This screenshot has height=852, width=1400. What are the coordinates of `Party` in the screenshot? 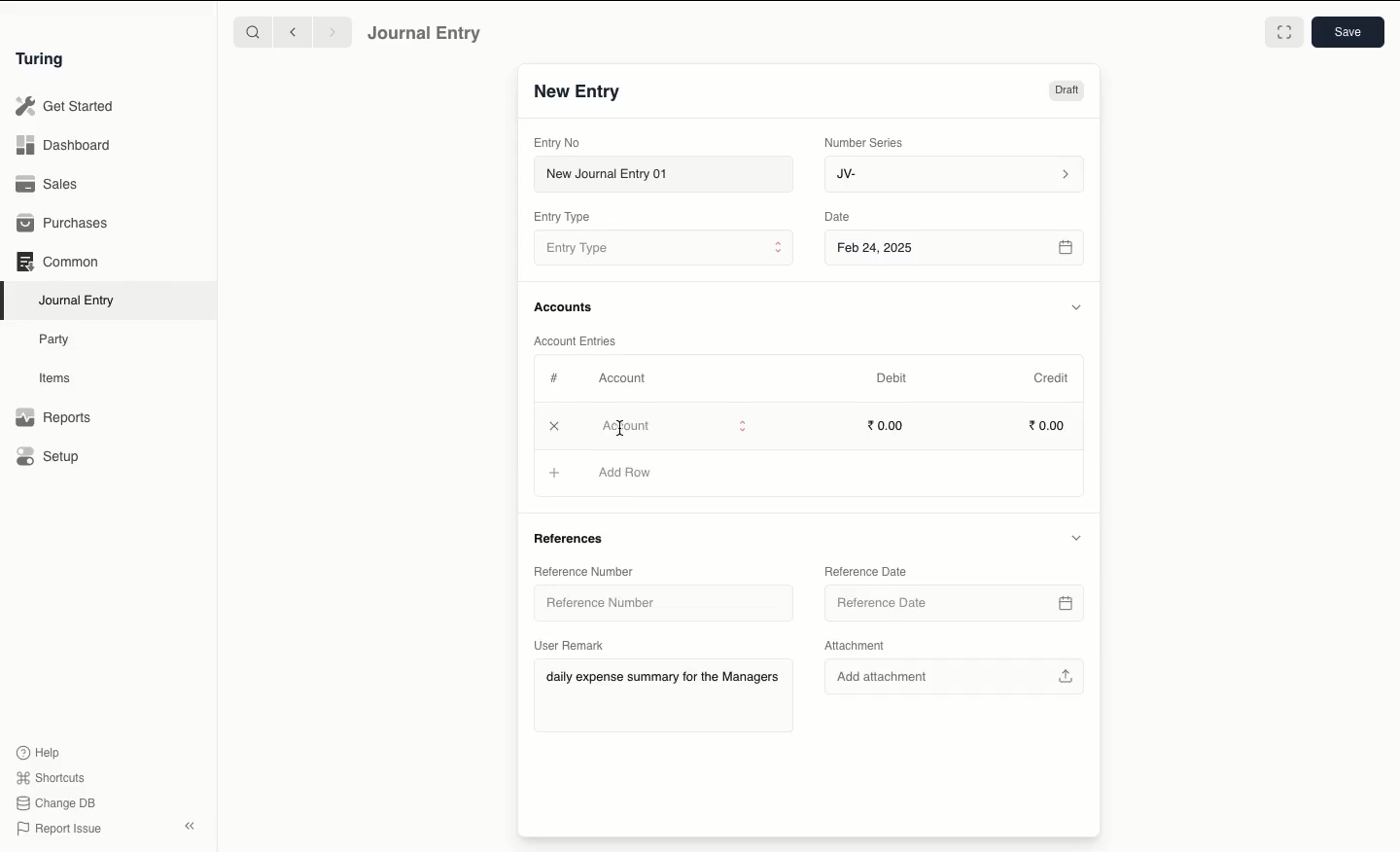 It's located at (59, 340).